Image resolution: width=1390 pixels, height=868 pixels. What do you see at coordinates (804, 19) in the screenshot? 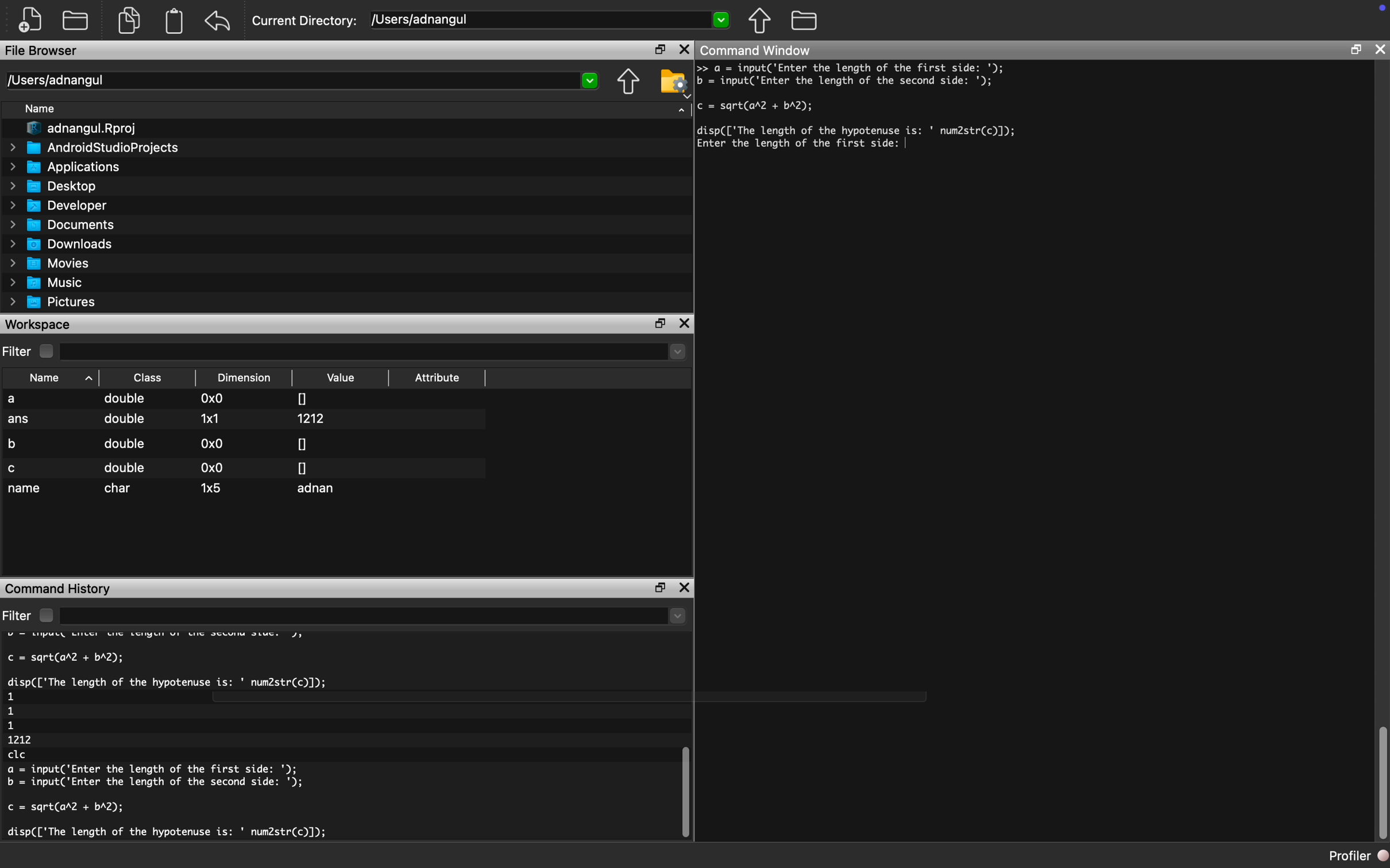
I see `folder` at bounding box center [804, 19].